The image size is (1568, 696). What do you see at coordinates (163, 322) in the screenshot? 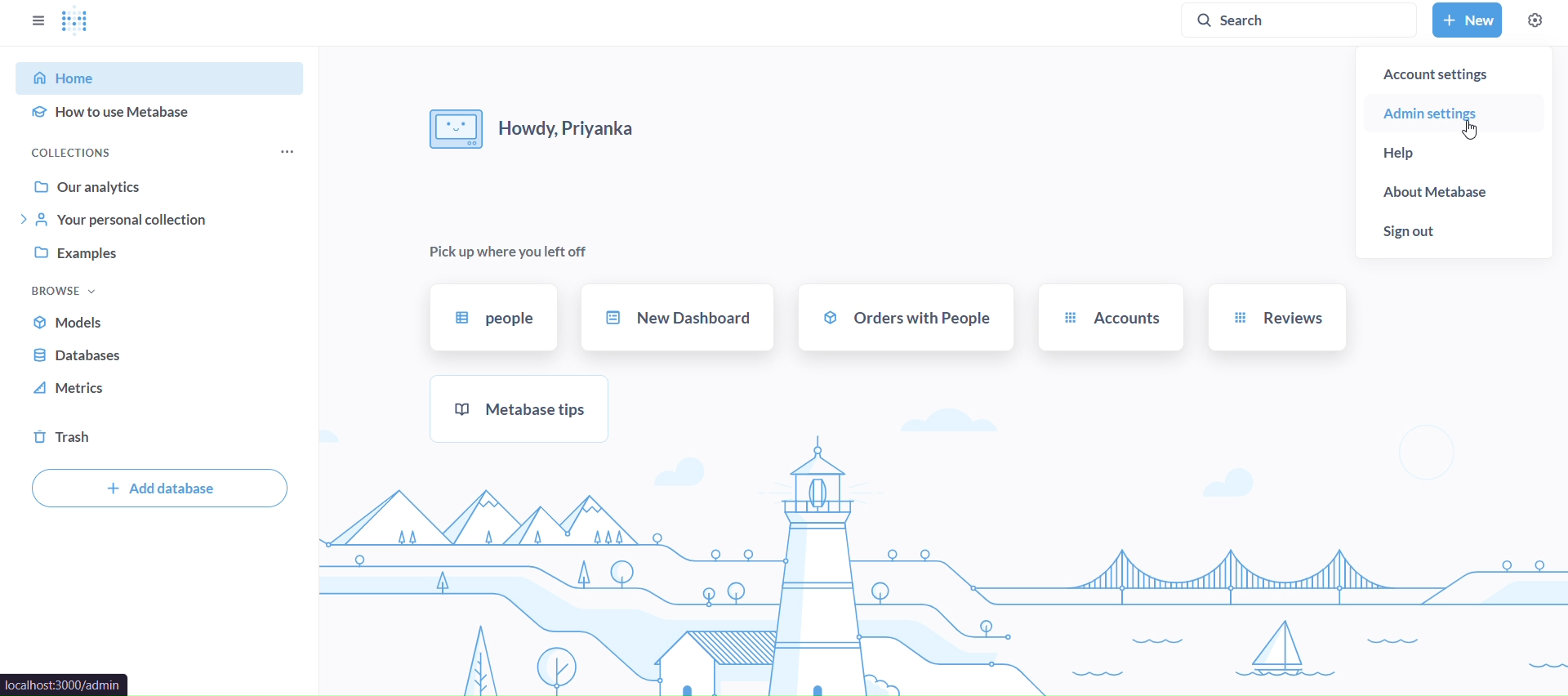
I see `models` at bounding box center [163, 322].